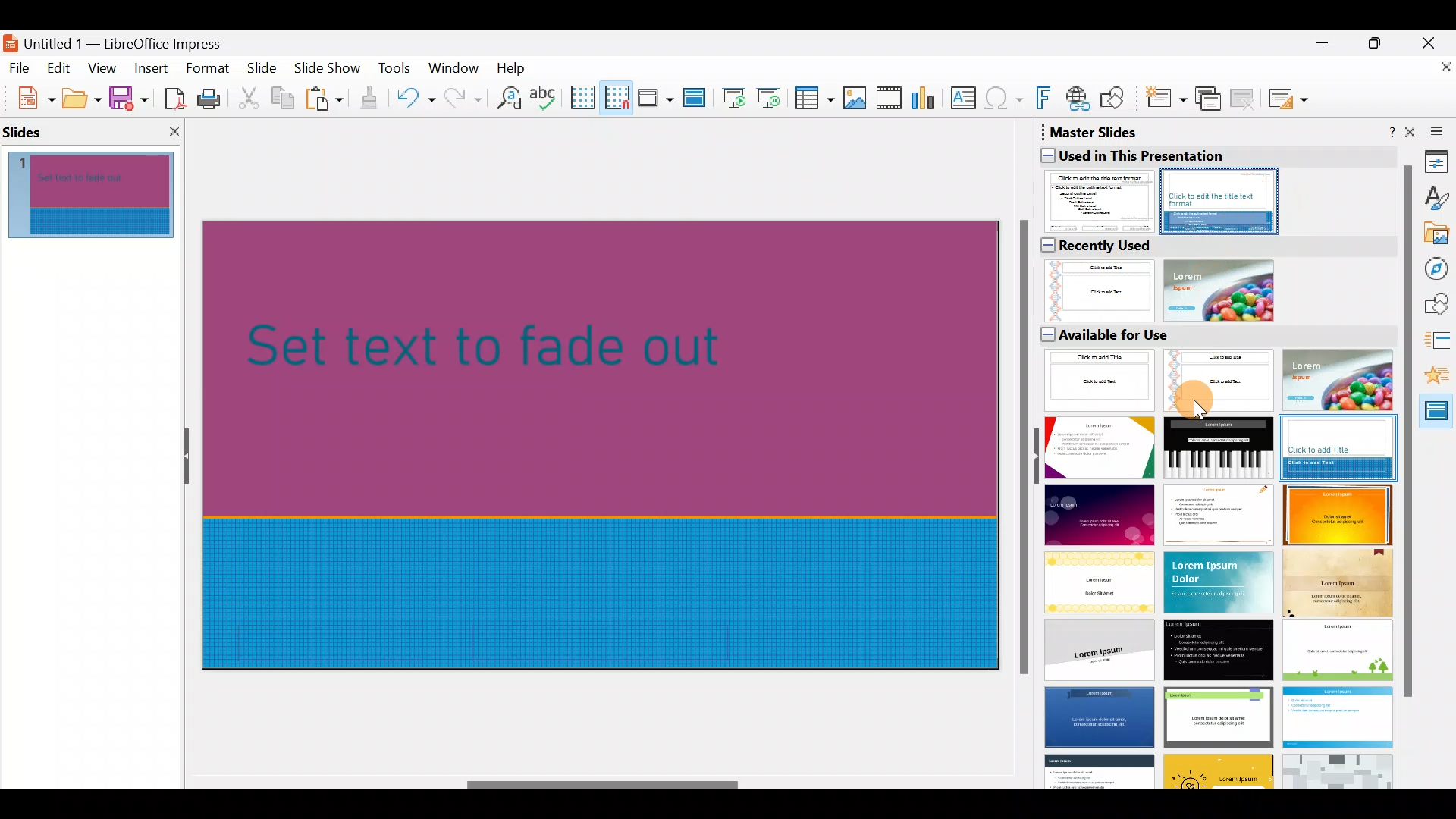  What do you see at coordinates (1245, 98) in the screenshot?
I see `Delete slide` at bounding box center [1245, 98].